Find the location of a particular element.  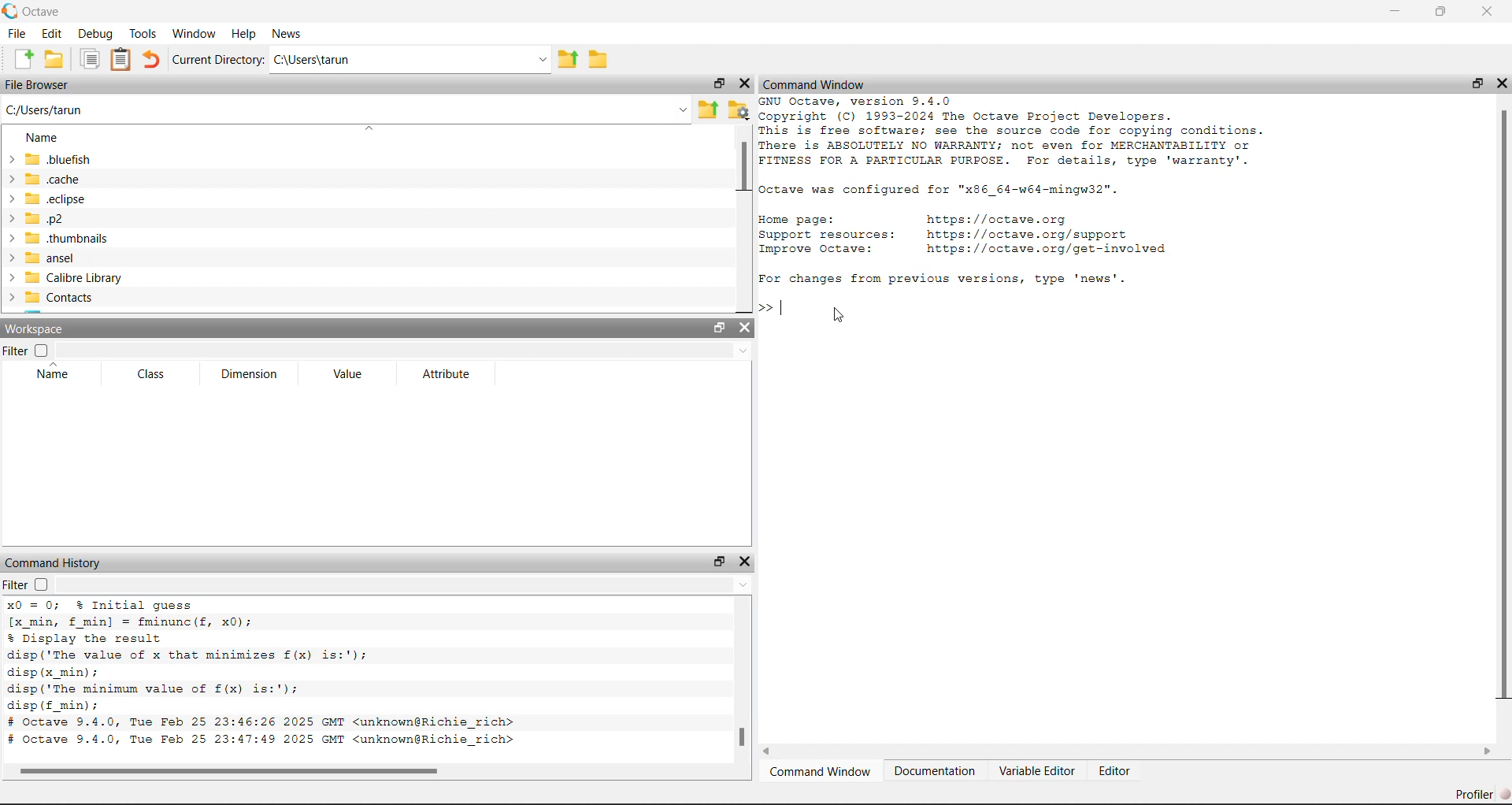

Left is located at coordinates (770, 752).